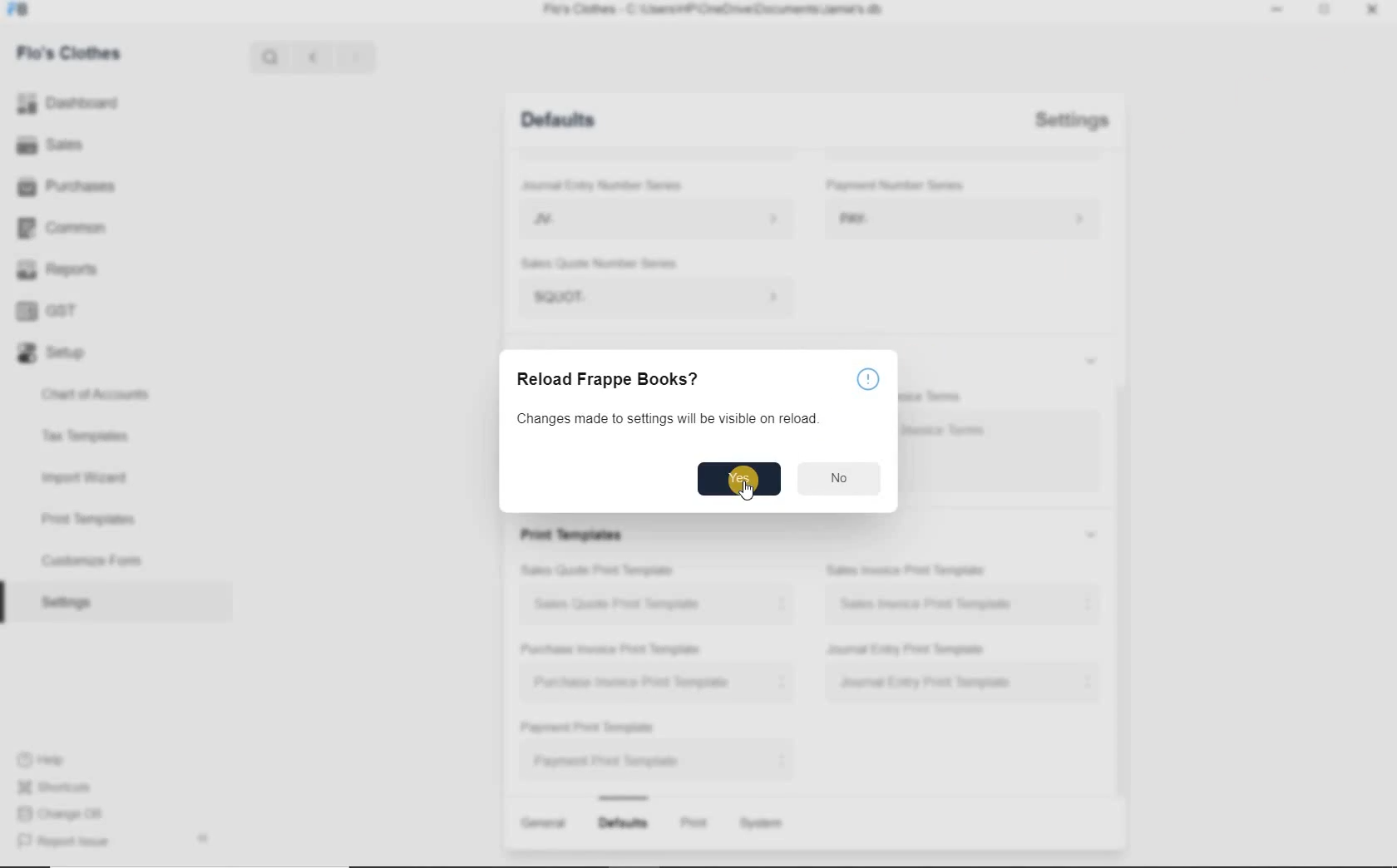 Image resolution: width=1397 pixels, height=868 pixels. Describe the element at coordinates (659, 760) in the screenshot. I see `Payment Print Template` at that location.